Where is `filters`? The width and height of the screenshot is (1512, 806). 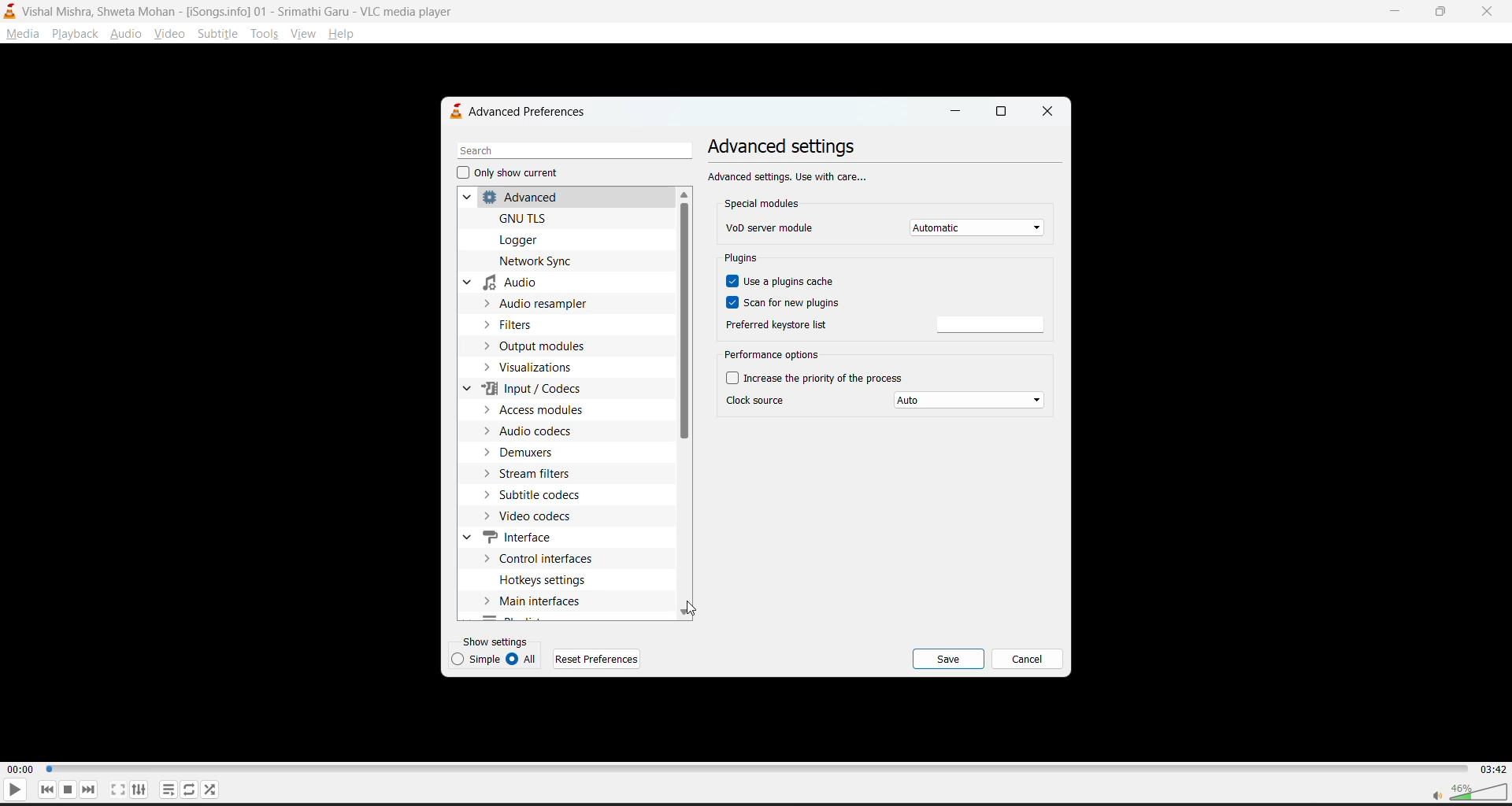
filters is located at coordinates (517, 325).